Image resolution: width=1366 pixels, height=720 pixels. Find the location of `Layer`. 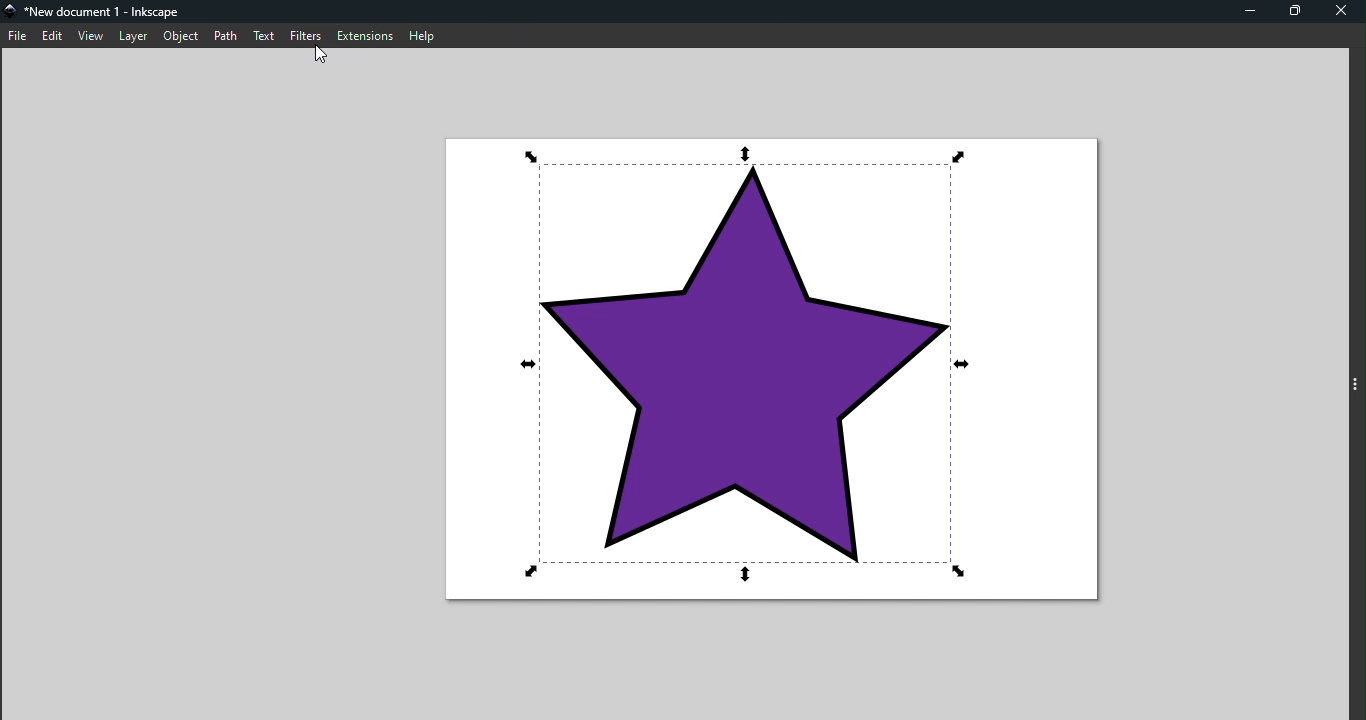

Layer is located at coordinates (131, 35).